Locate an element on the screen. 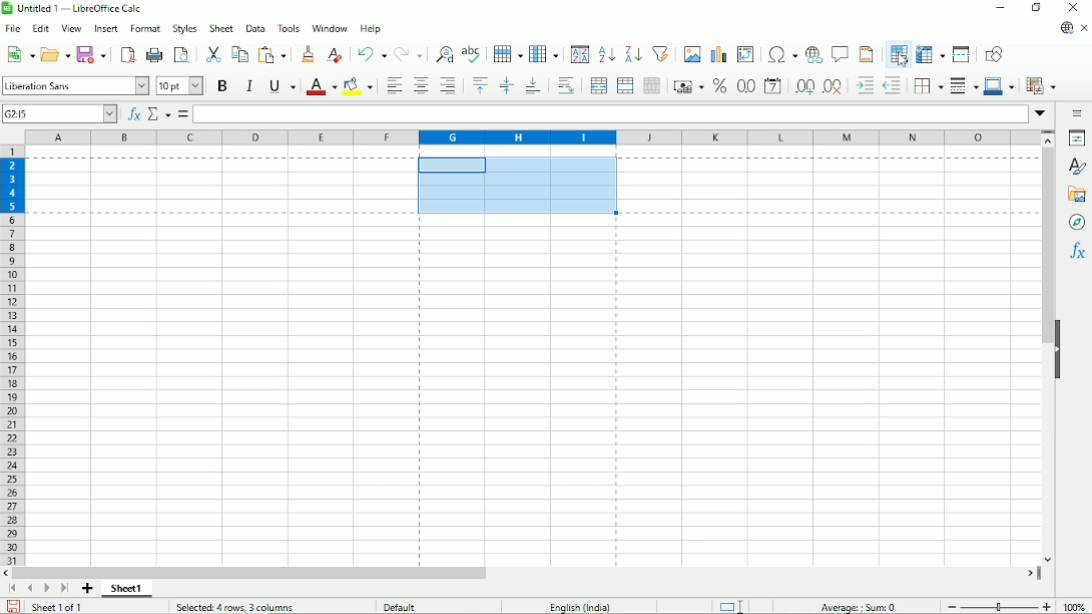  Insert comment is located at coordinates (840, 53).